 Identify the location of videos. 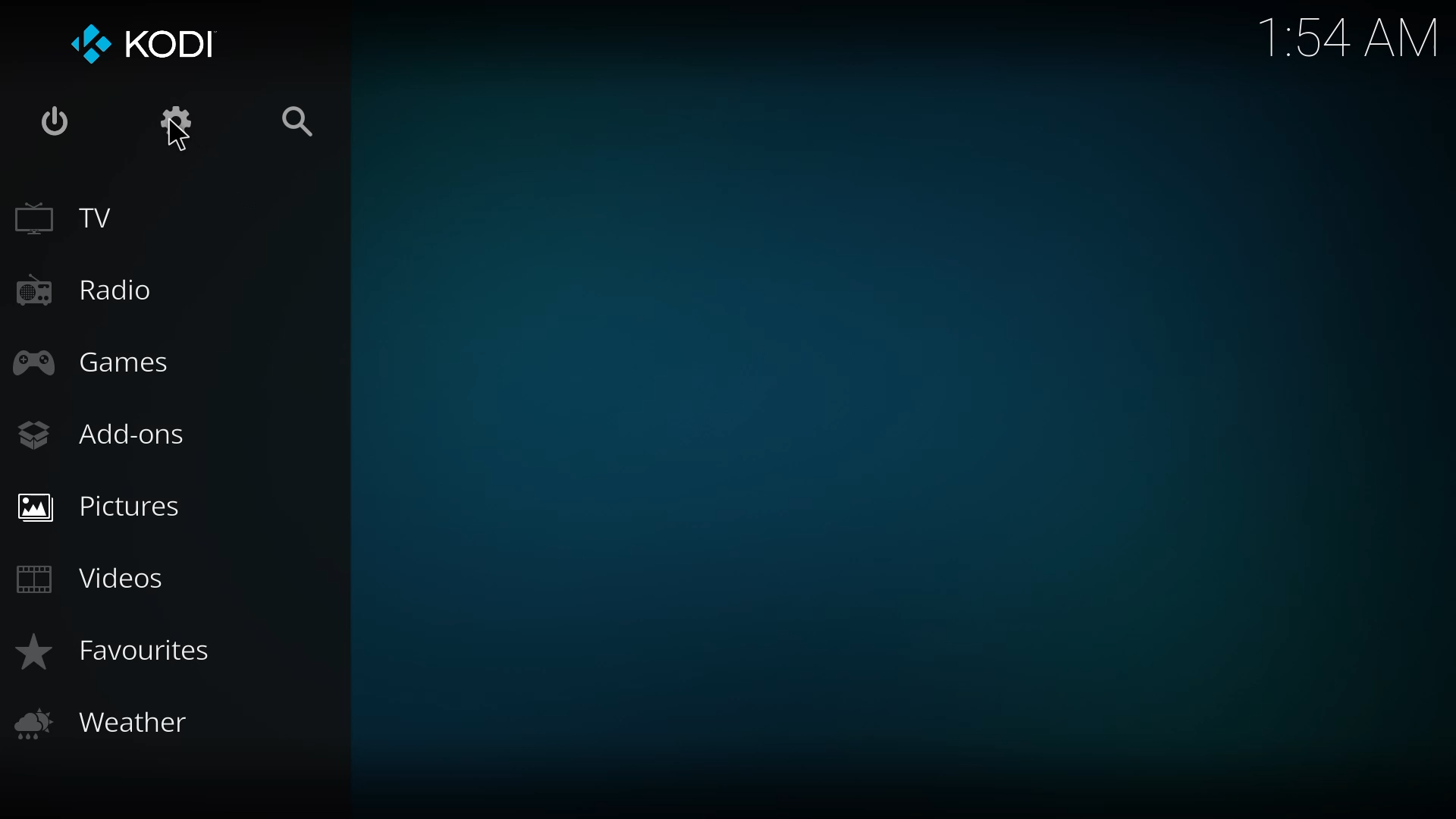
(93, 577).